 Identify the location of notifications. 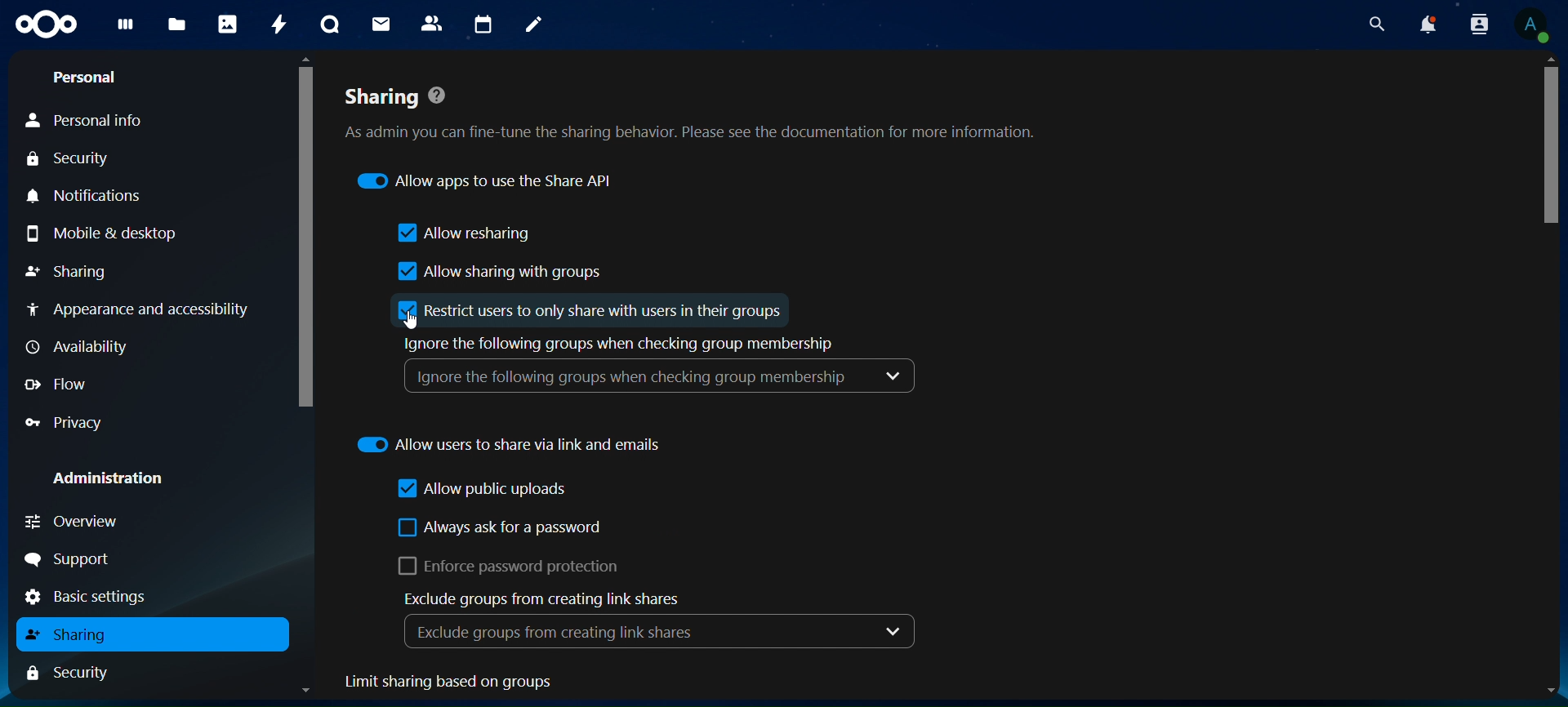
(87, 197).